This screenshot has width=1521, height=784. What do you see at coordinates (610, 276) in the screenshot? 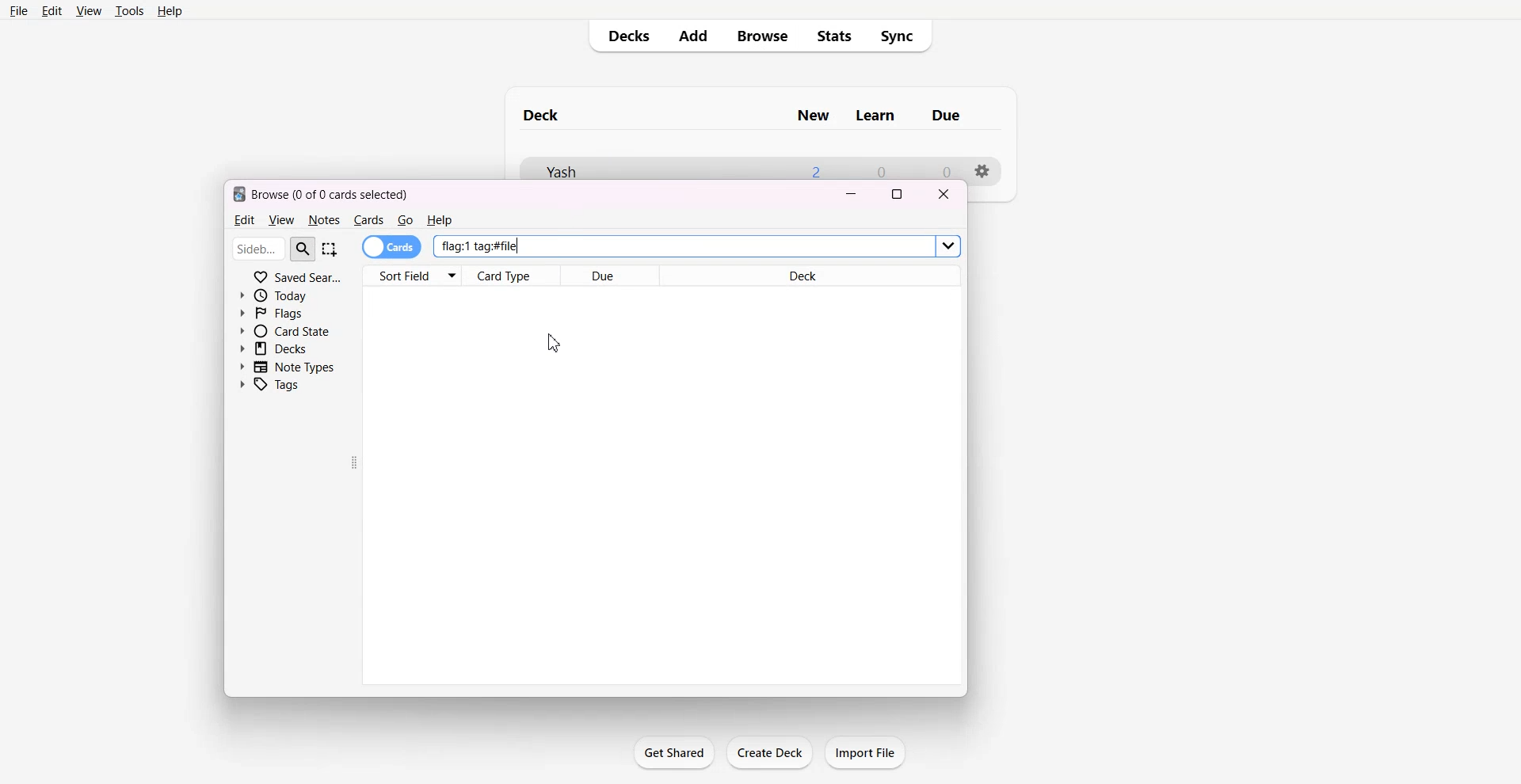
I see `Due` at bounding box center [610, 276].